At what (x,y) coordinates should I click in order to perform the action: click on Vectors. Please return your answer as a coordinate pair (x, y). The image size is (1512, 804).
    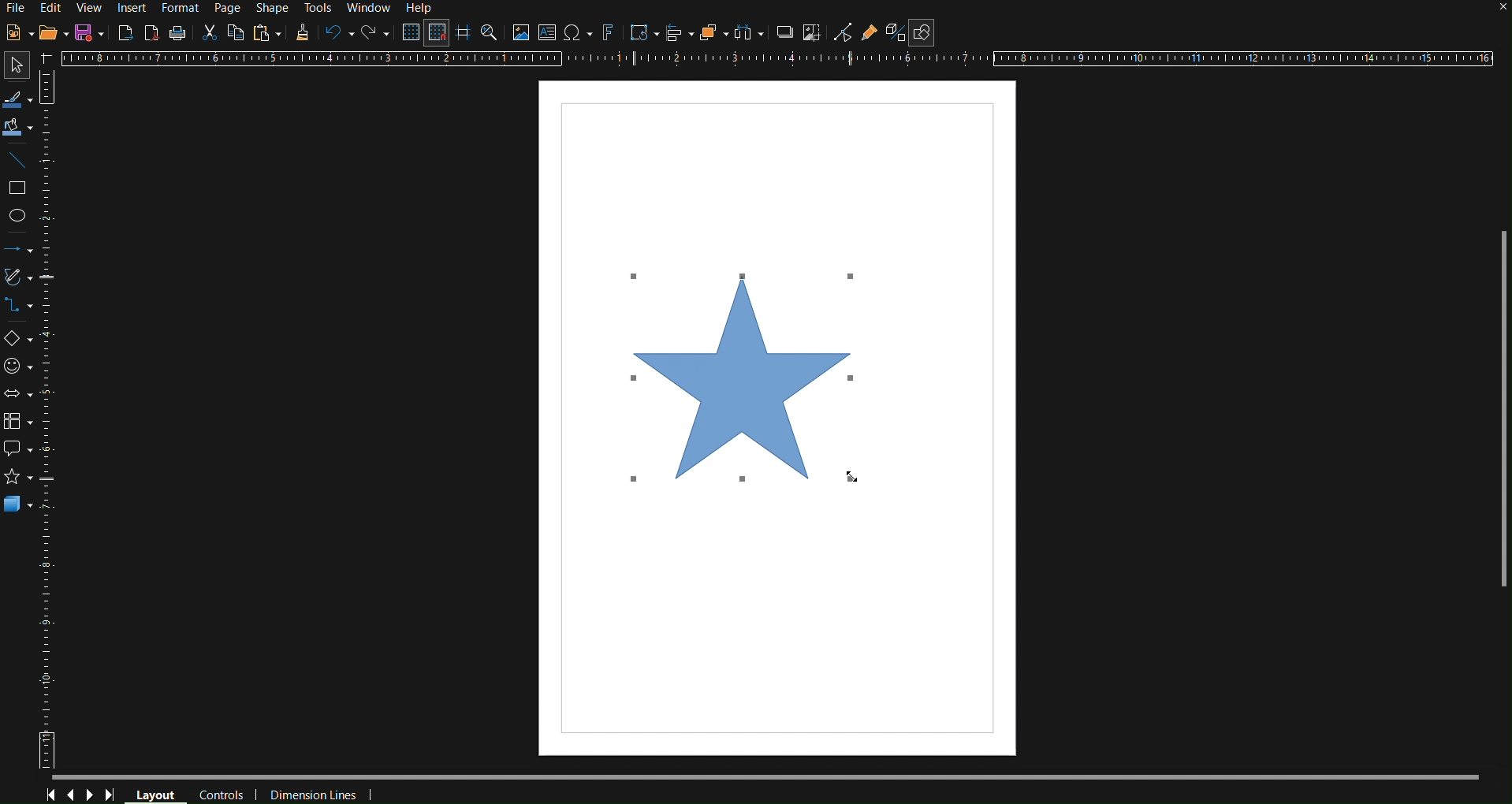
    Looking at the image, I should click on (20, 280).